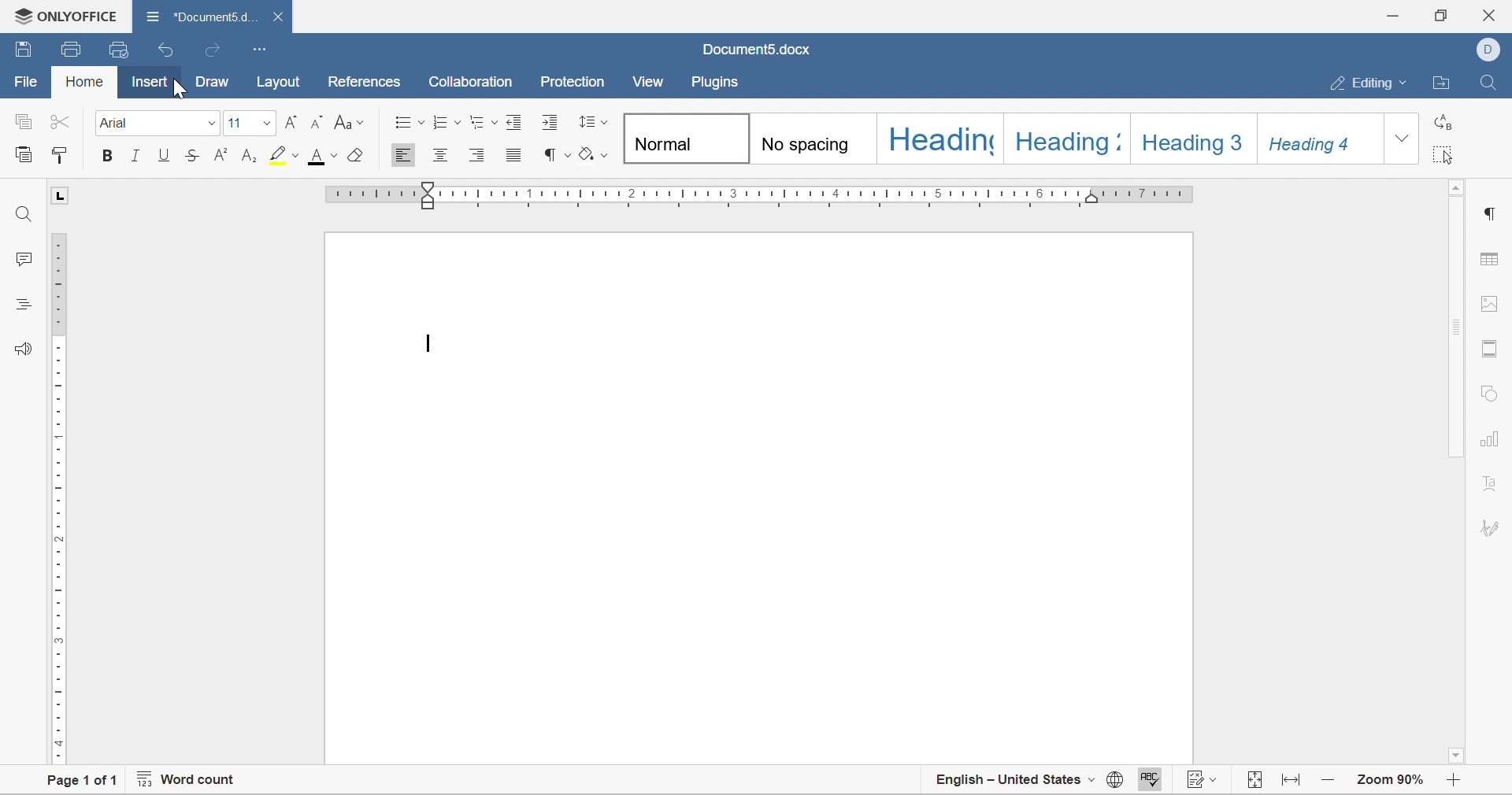  Describe the element at coordinates (514, 154) in the screenshot. I see `justified` at that location.